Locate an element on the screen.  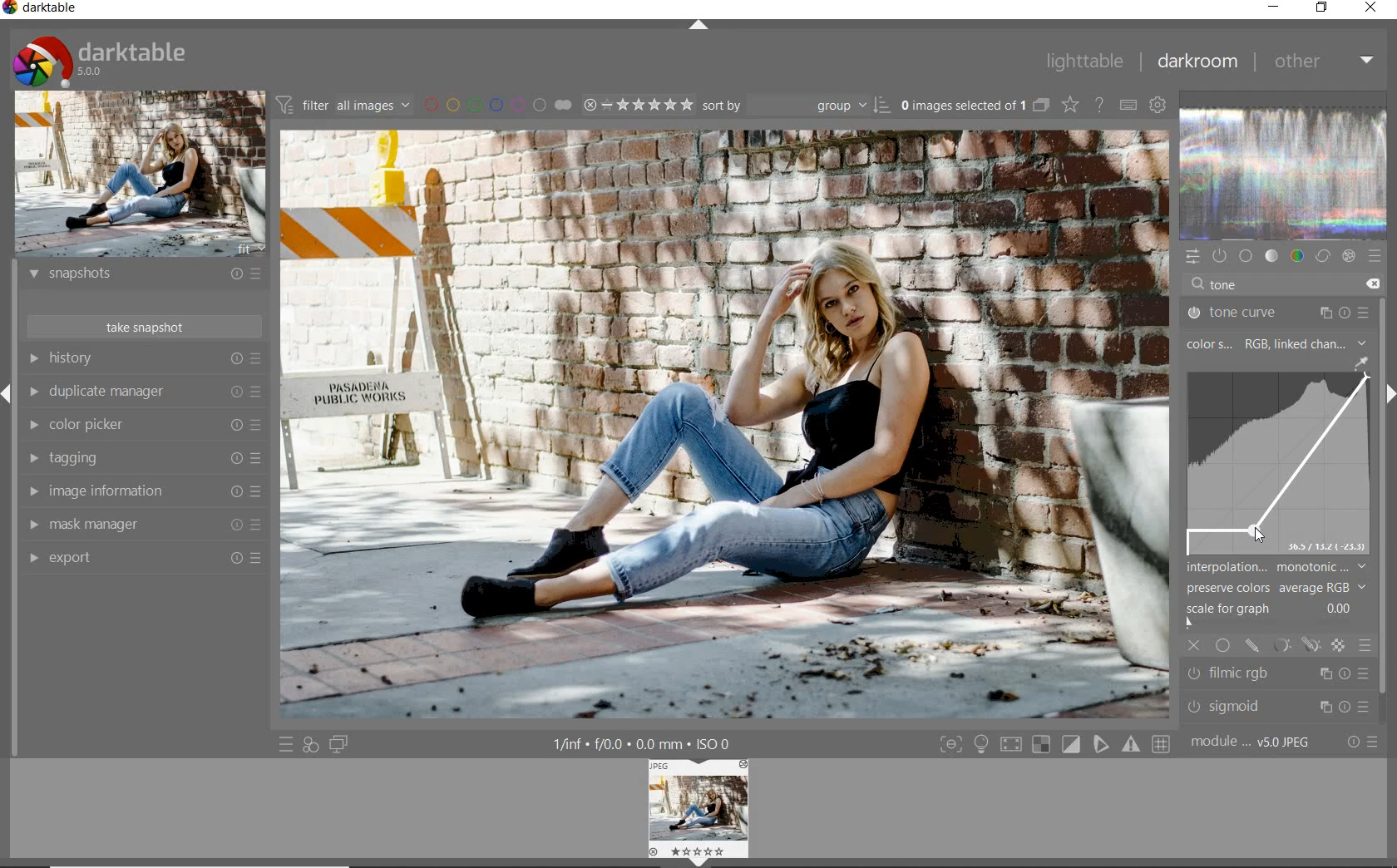
scrollbar is located at coordinates (1387, 498).